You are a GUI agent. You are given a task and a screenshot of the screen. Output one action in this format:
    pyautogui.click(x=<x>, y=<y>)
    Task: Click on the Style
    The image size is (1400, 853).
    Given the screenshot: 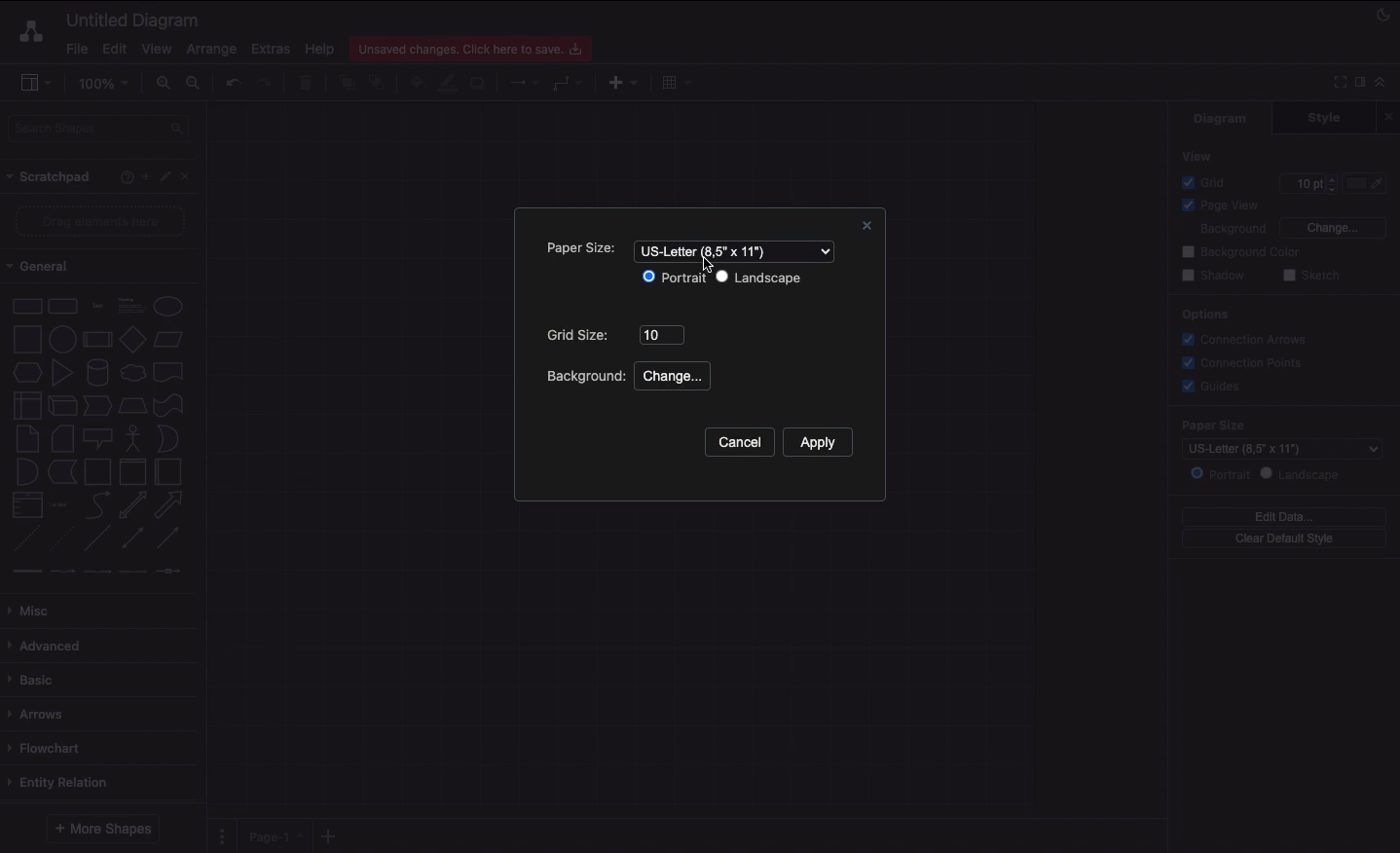 What is the action you would take?
    pyautogui.click(x=1326, y=117)
    